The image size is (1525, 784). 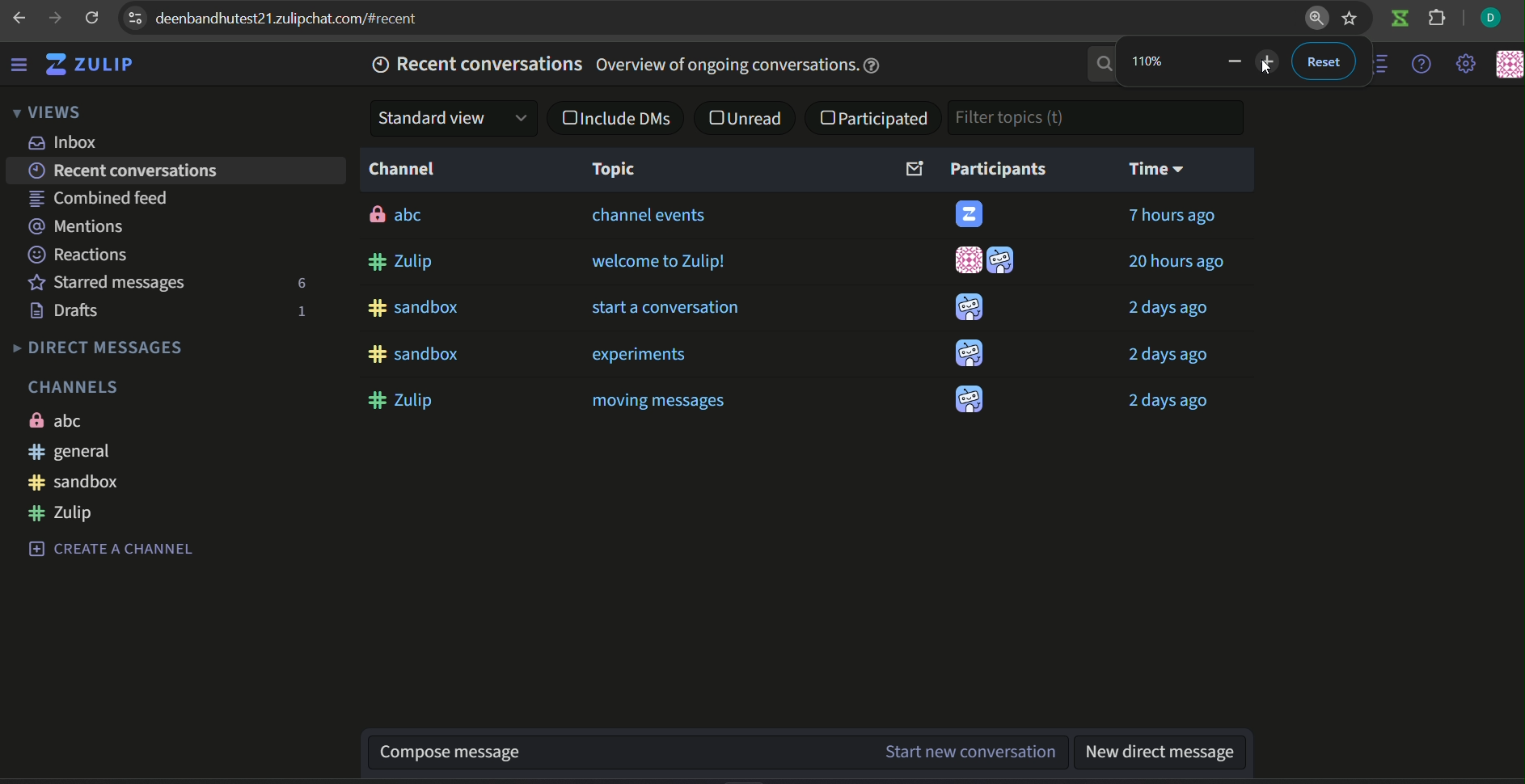 What do you see at coordinates (101, 200) in the screenshot?
I see `combined feed` at bounding box center [101, 200].